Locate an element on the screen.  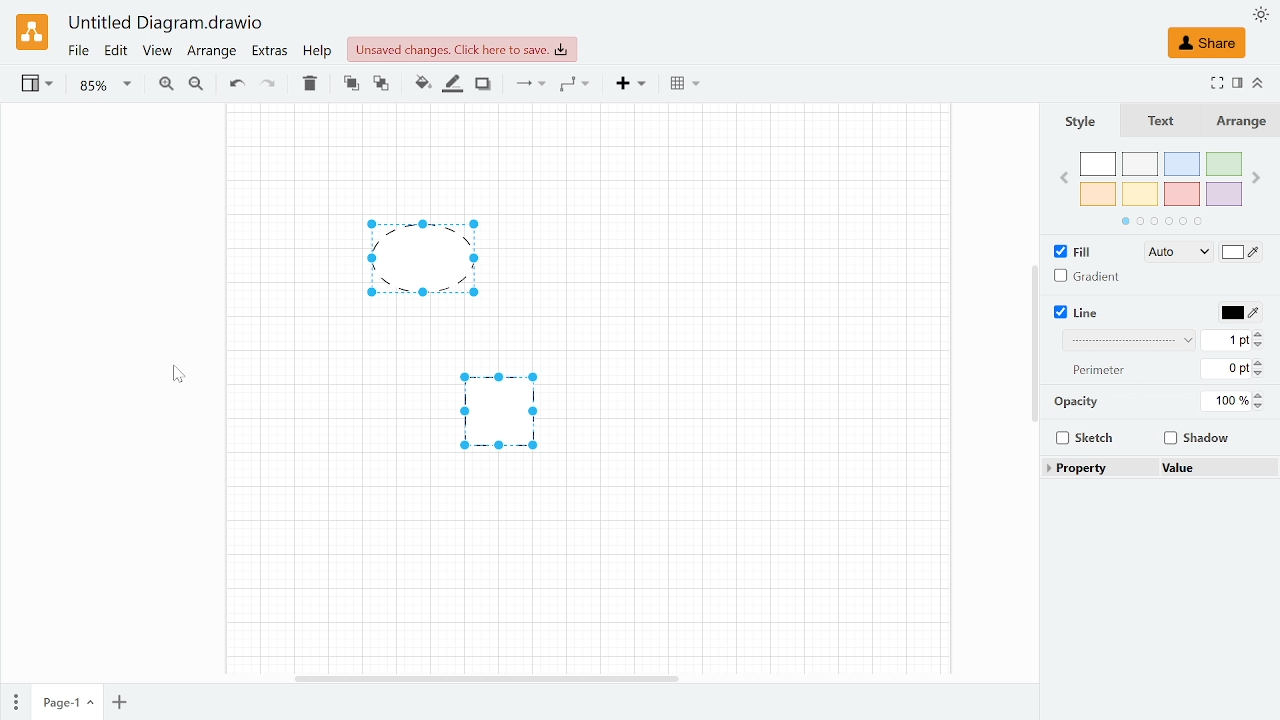
Undo is located at coordinates (236, 85).